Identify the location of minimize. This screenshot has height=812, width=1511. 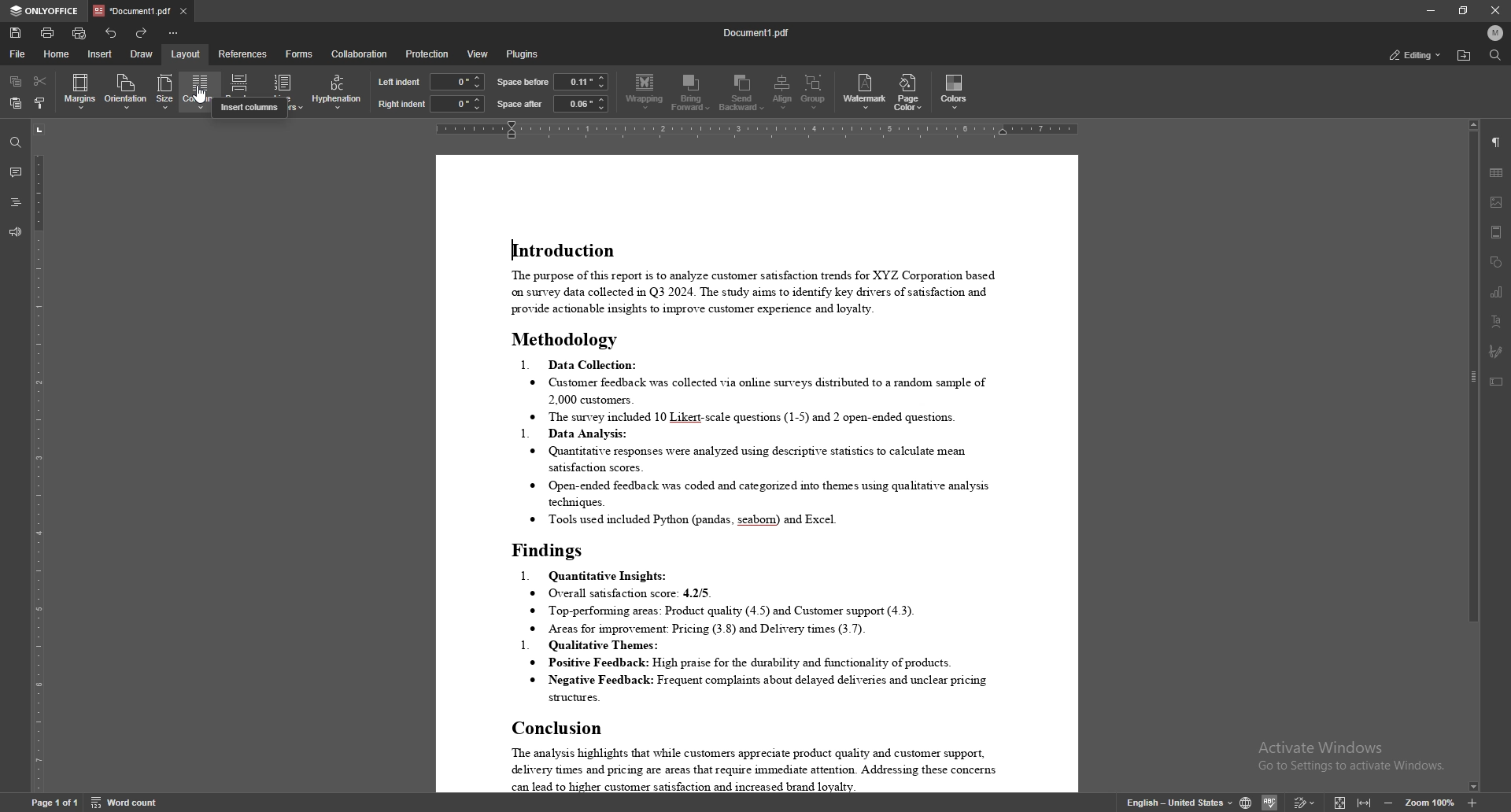
(1431, 10).